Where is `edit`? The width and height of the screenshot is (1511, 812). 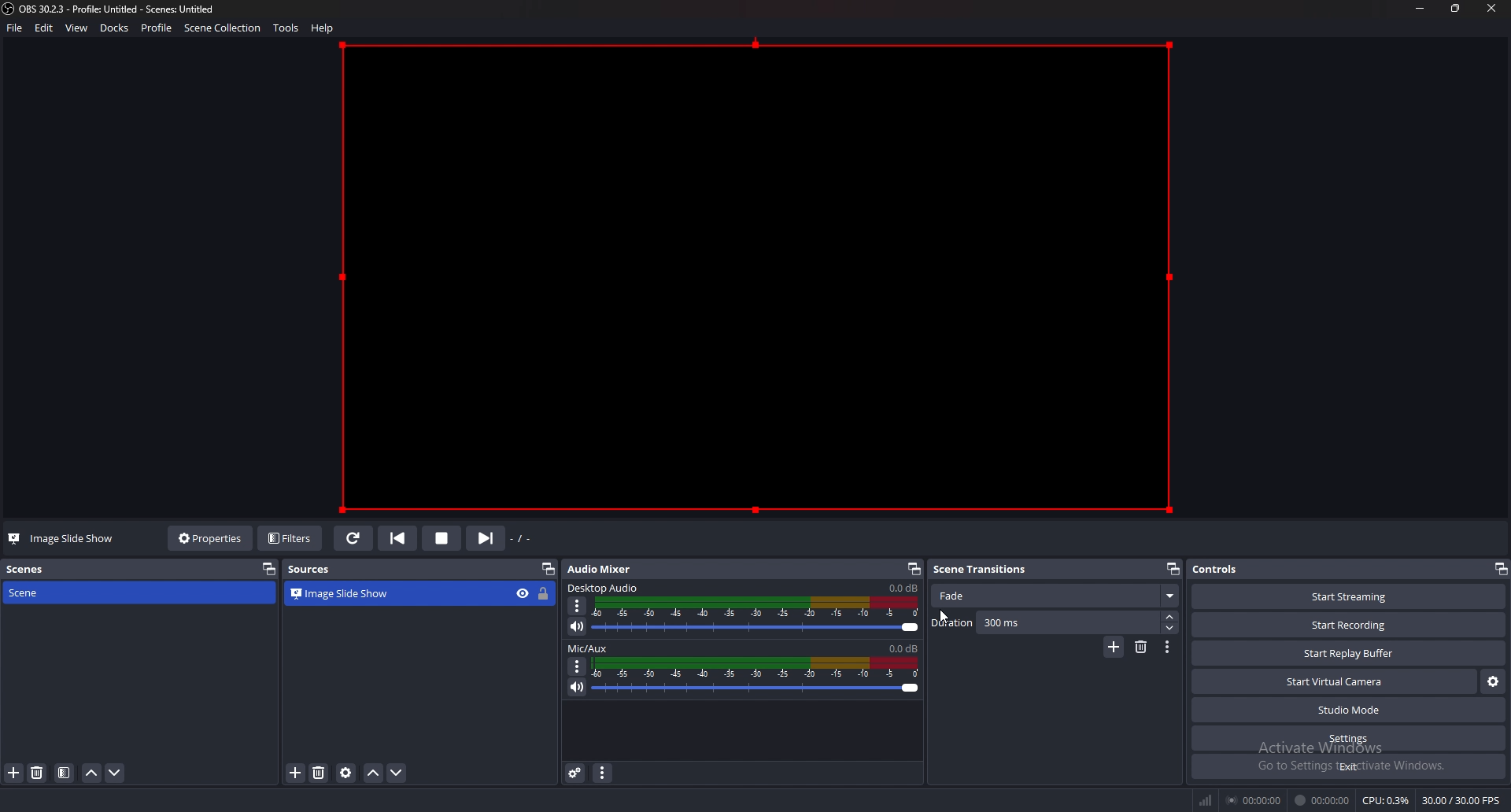
edit is located at coordinates (46, 28).